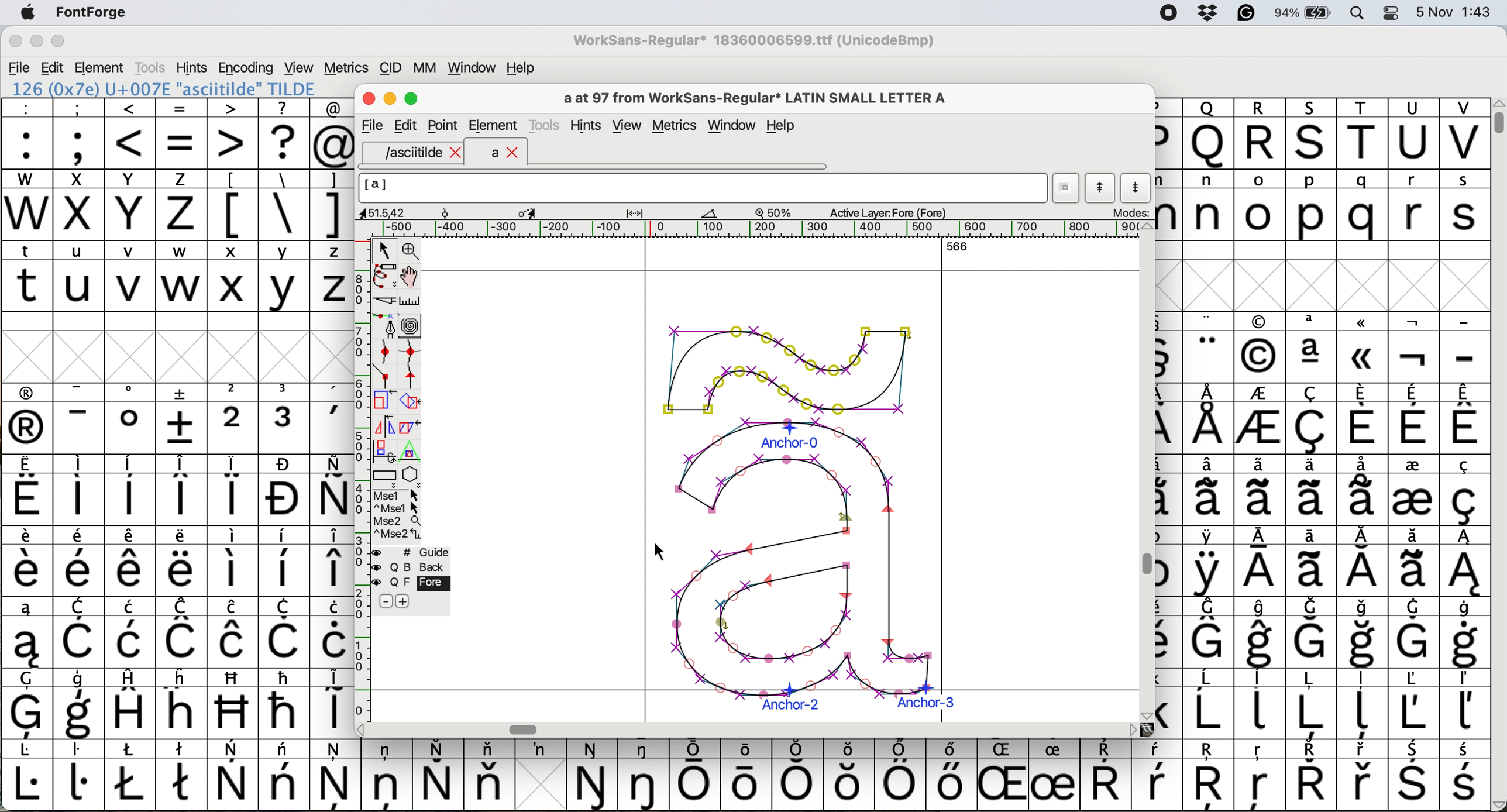 The width and height of the screenshot is (1507, 812). Describe the element at coordinates (79, 774) in the screenshot. I see `symbol` at that location.